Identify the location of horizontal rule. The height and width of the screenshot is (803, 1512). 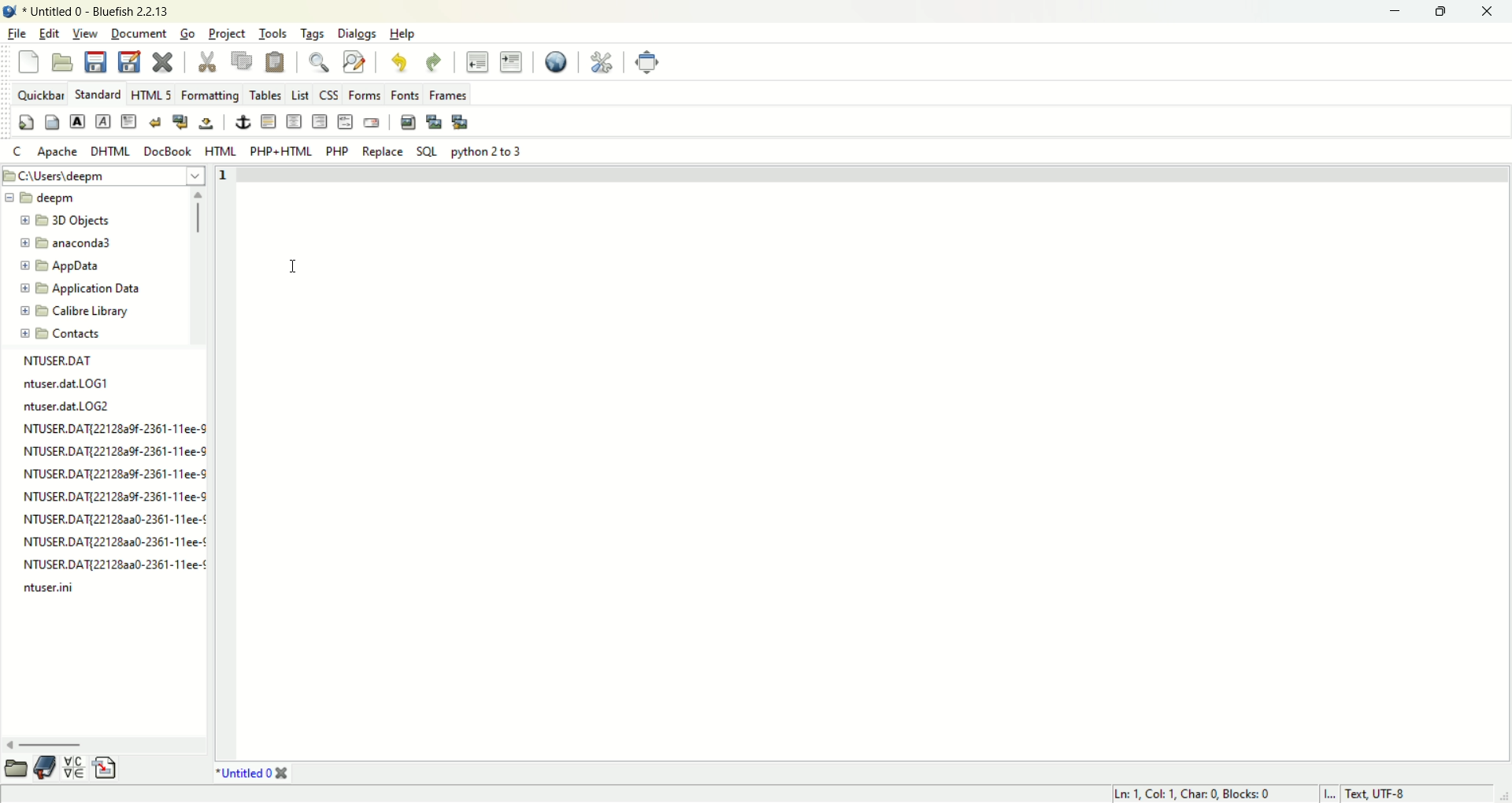
(269, 122).